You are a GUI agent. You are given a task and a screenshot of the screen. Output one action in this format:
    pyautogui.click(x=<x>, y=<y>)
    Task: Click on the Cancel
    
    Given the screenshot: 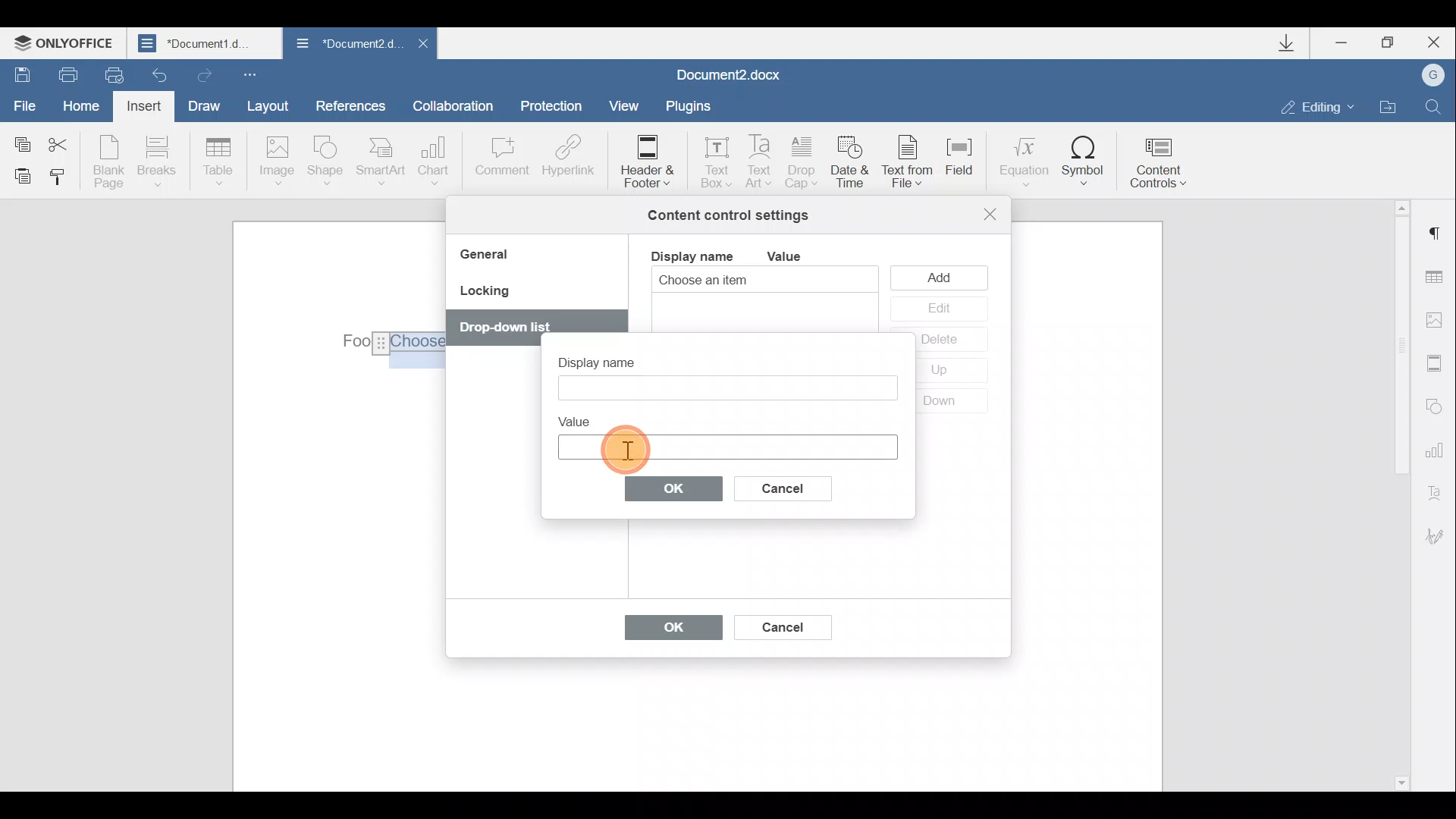 What is the action you would take?
    pyautogui.click(x=781, y=624)
    